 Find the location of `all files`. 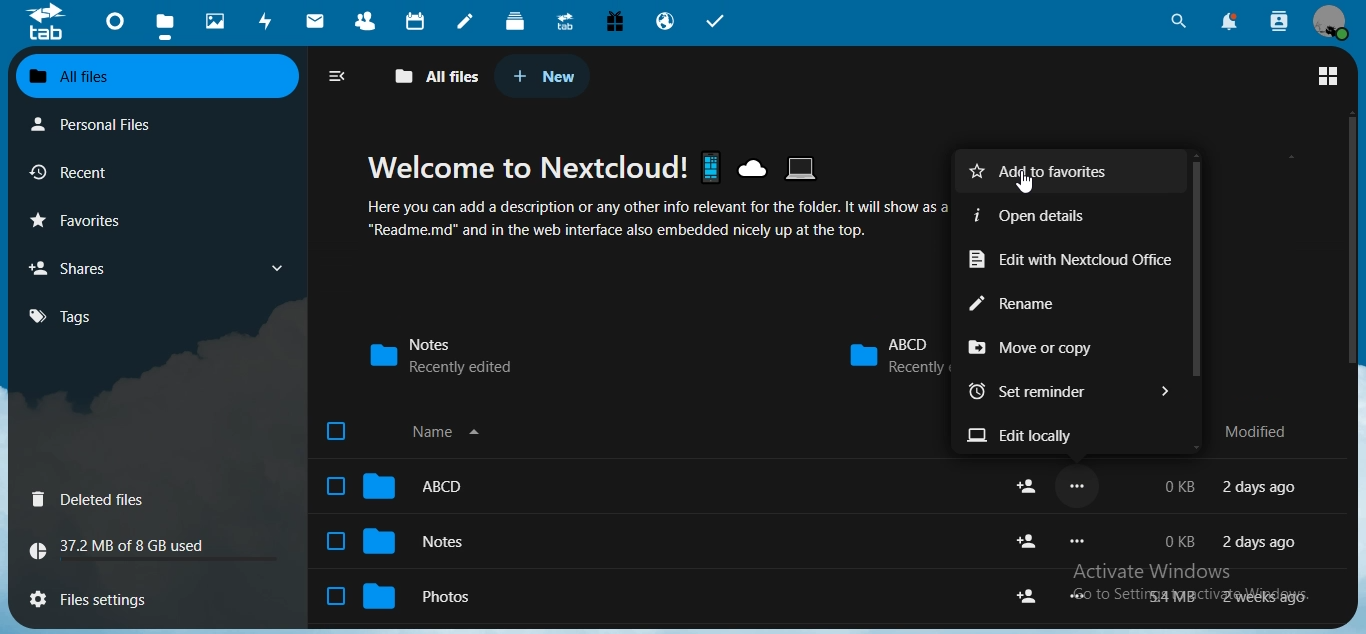

all files is located at coordinates (152, 73).